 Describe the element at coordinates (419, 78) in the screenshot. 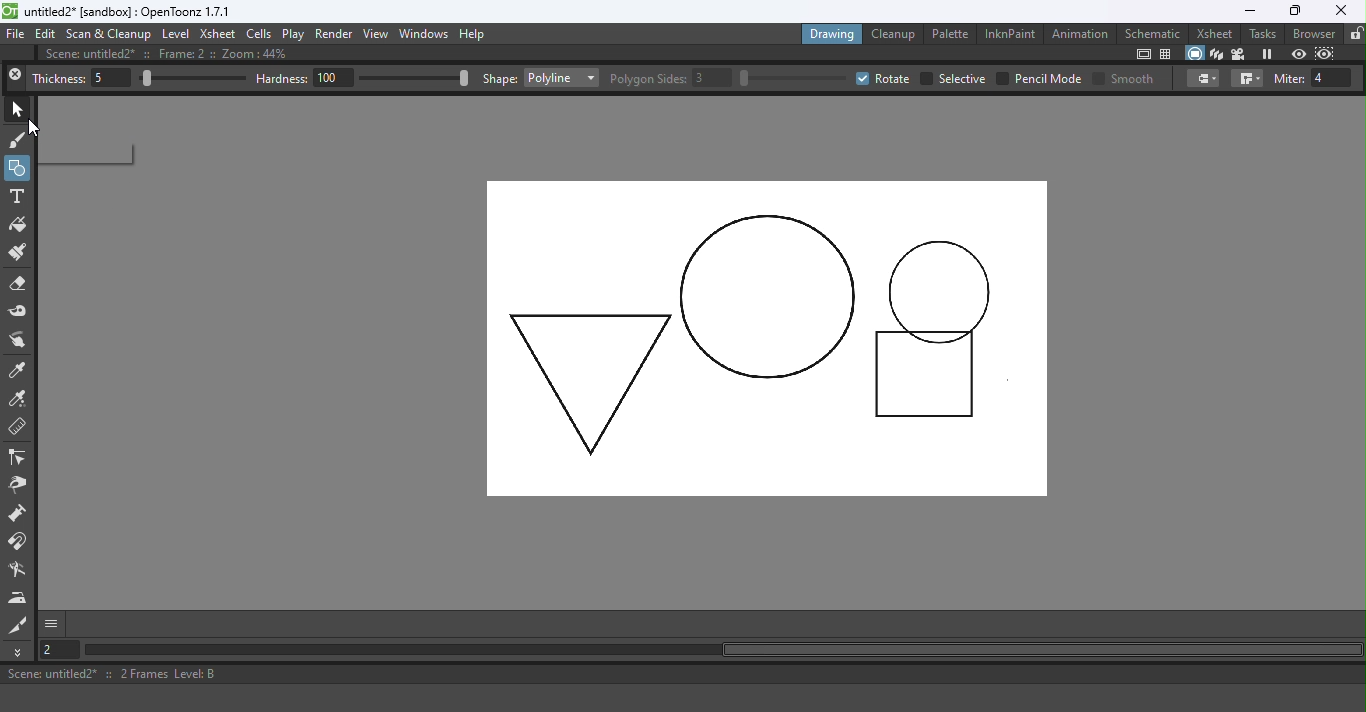

I see `Hardness bar` at that location.